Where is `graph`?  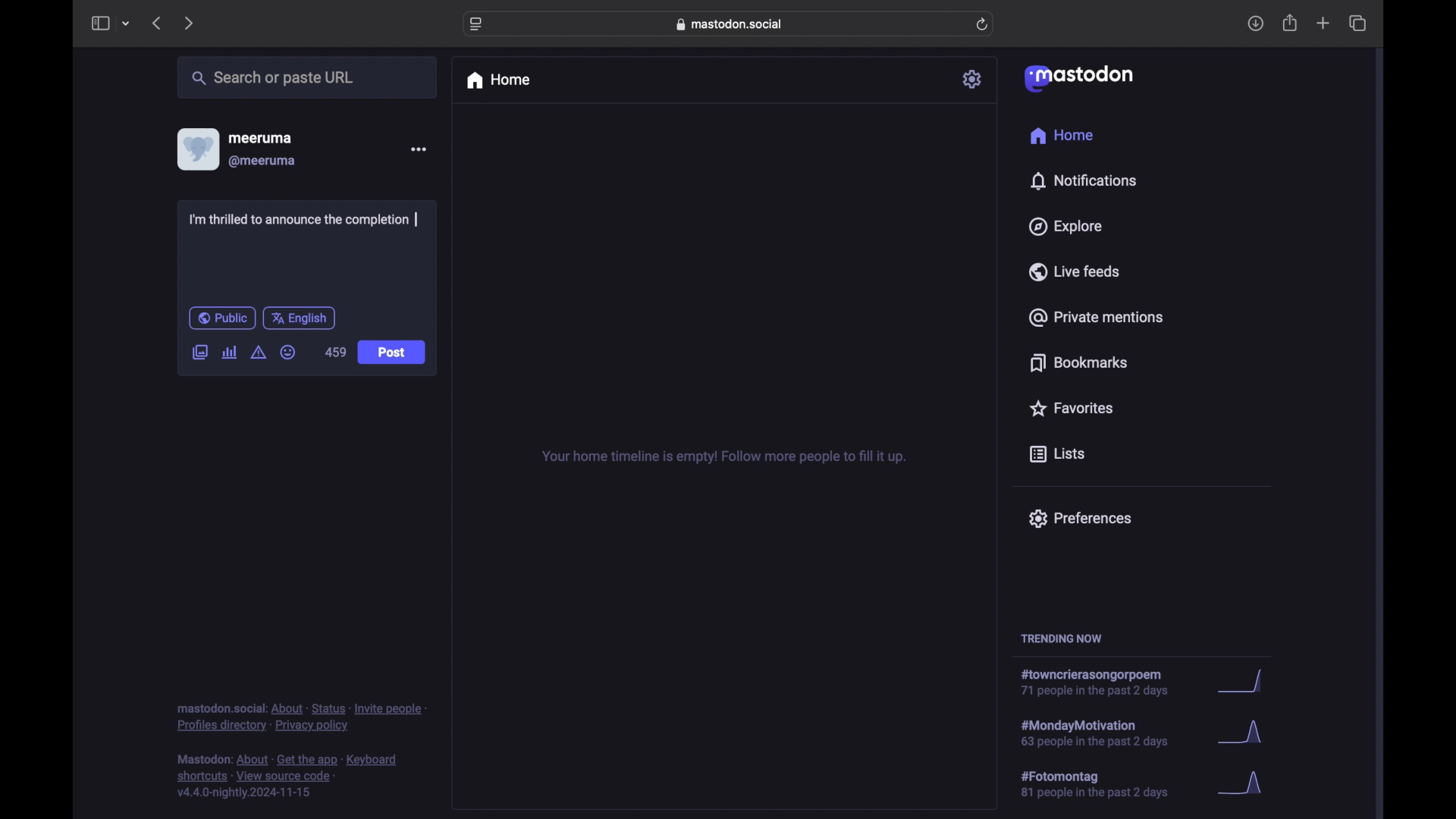
graph is located at coordinates (1245, 784).